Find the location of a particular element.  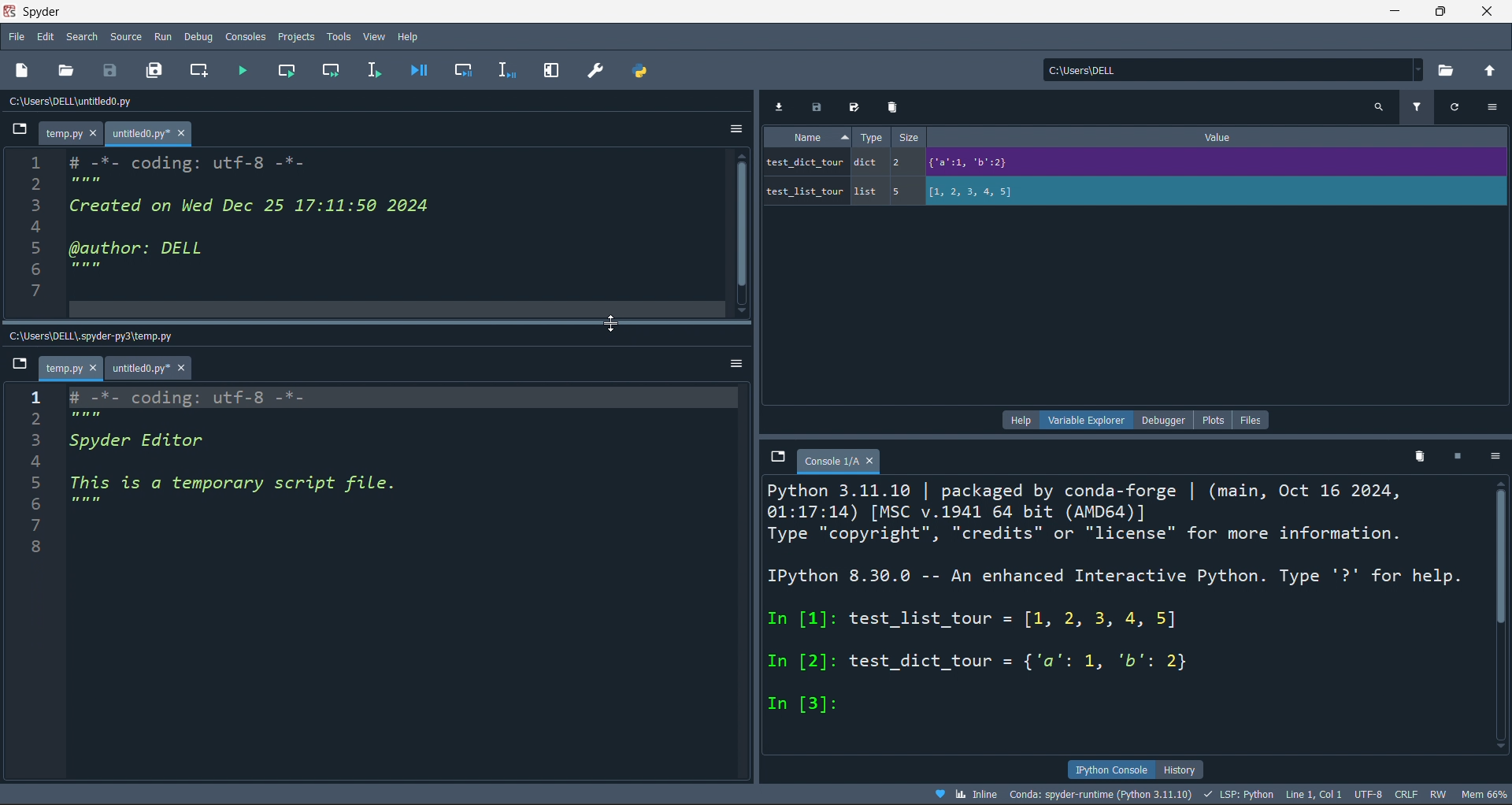

Inline is located at coordinates (965, 794).